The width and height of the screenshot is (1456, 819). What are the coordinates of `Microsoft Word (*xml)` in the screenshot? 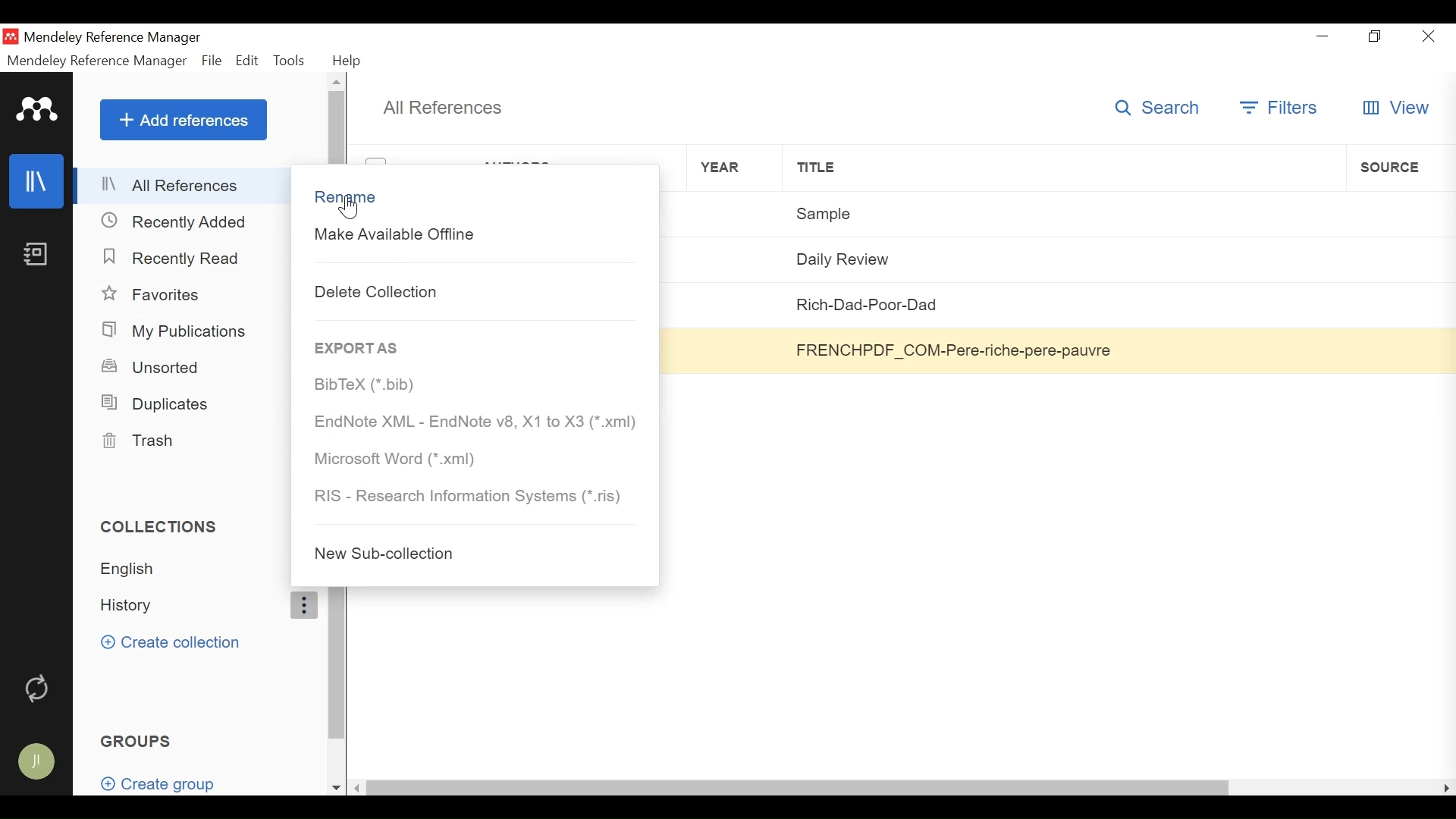 It's located at (475, 459).